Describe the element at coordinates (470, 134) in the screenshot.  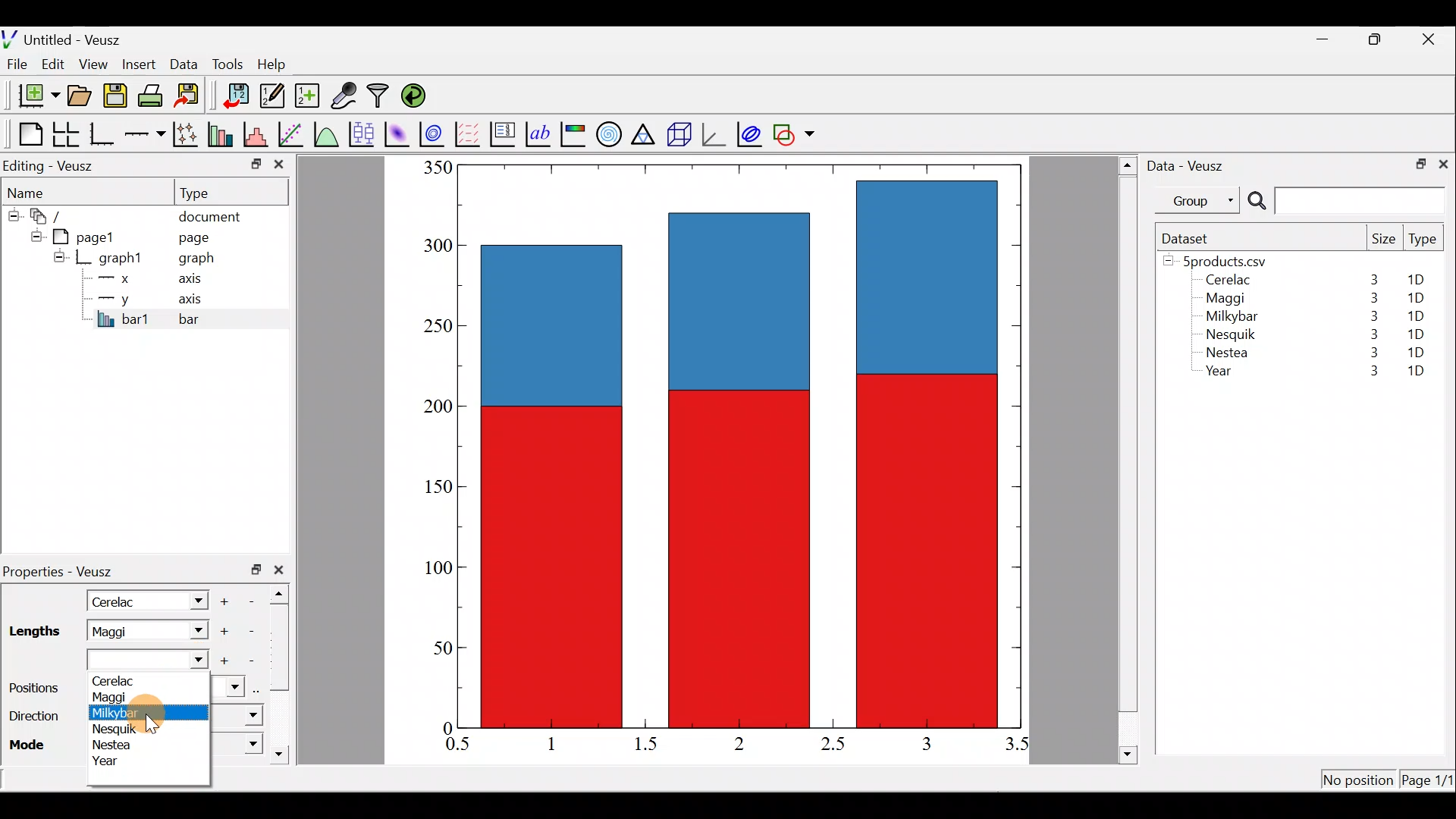
I see `Plot a vector field` at that location.